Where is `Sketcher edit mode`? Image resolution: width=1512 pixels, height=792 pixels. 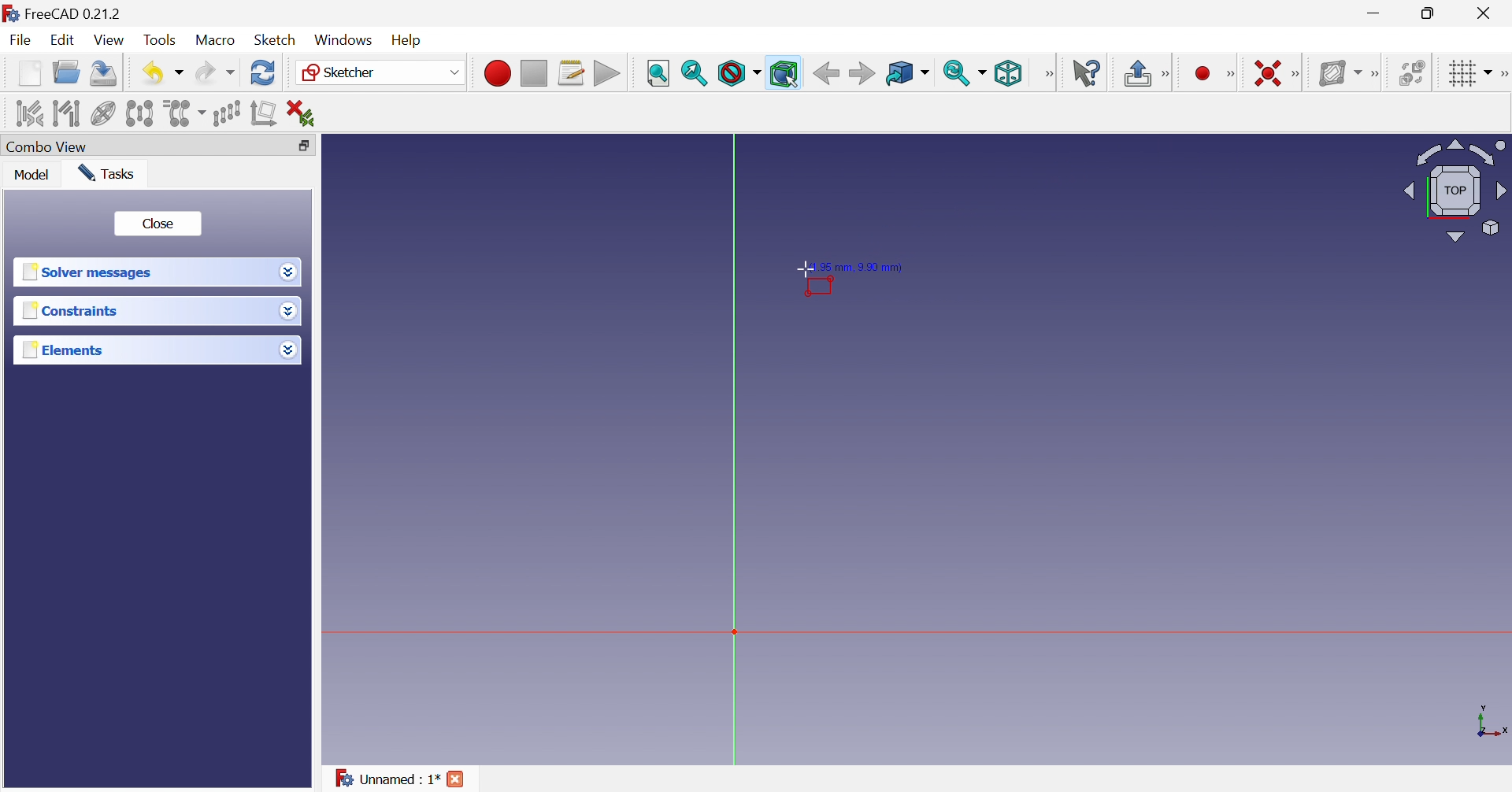
Sketcher edit mode is located at coordinates (1167, 73).